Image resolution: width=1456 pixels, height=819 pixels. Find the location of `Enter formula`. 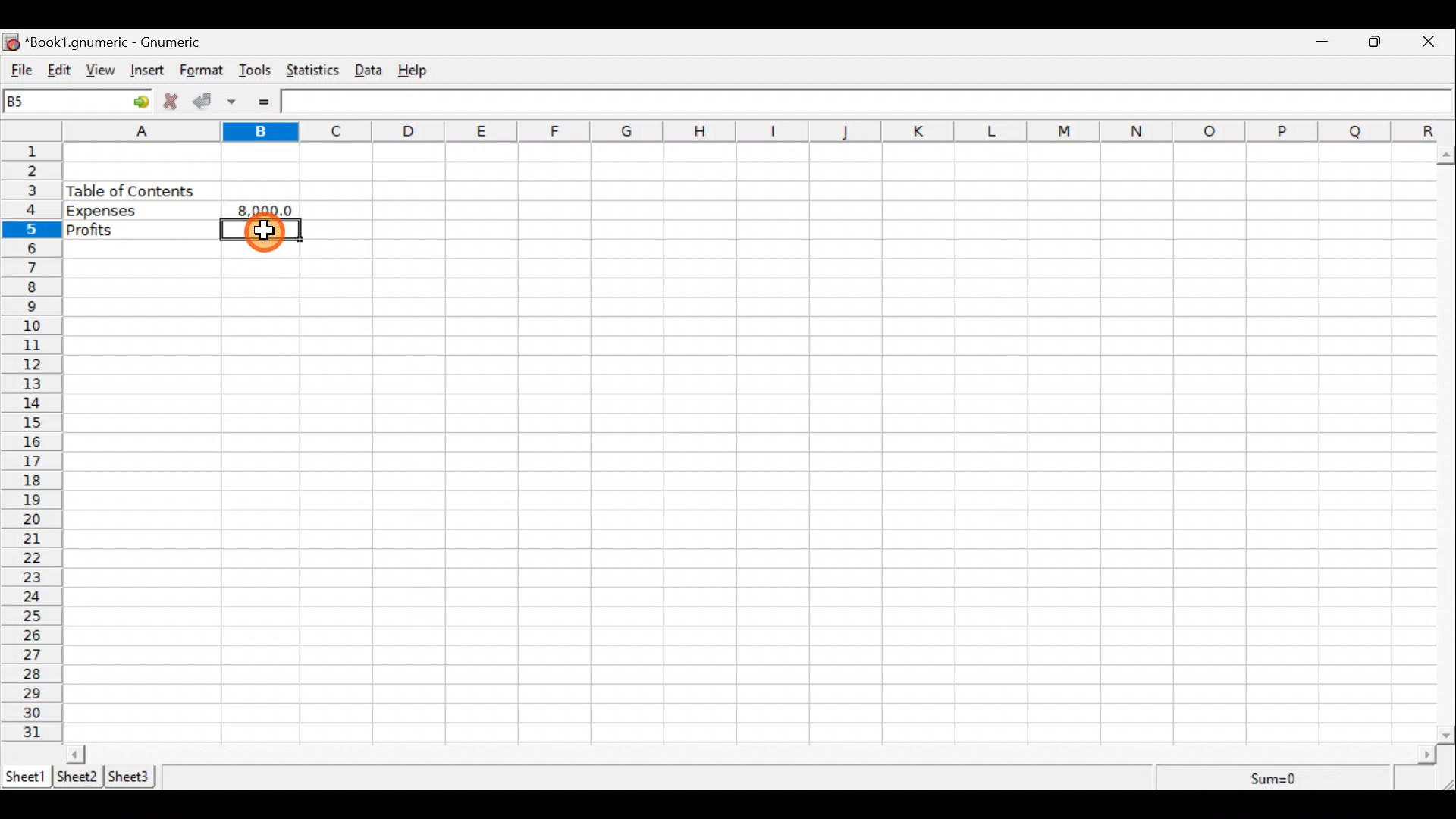

Enter formula is located at coordinates (272, 102).